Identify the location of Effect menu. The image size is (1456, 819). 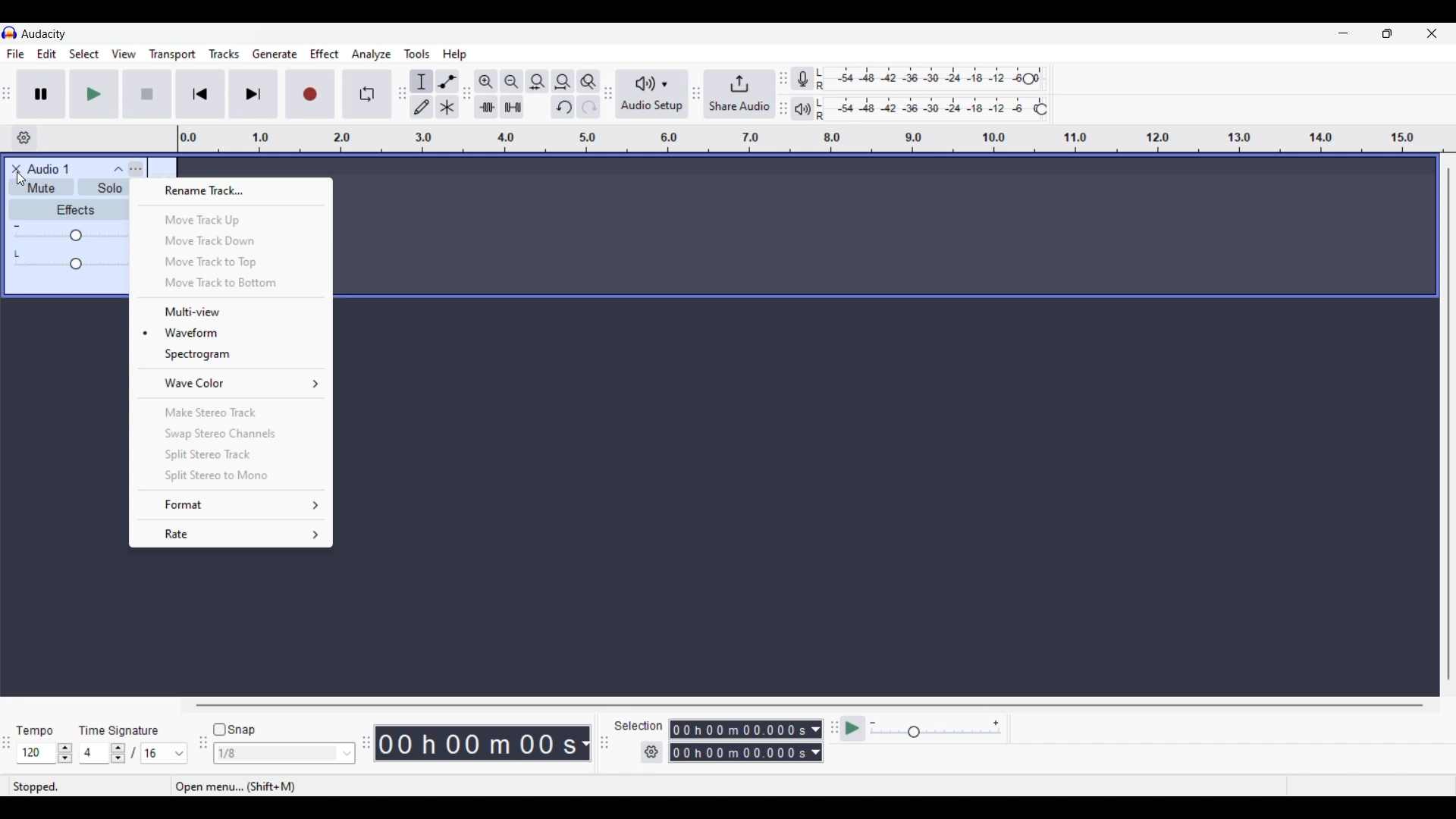
(325, 54).